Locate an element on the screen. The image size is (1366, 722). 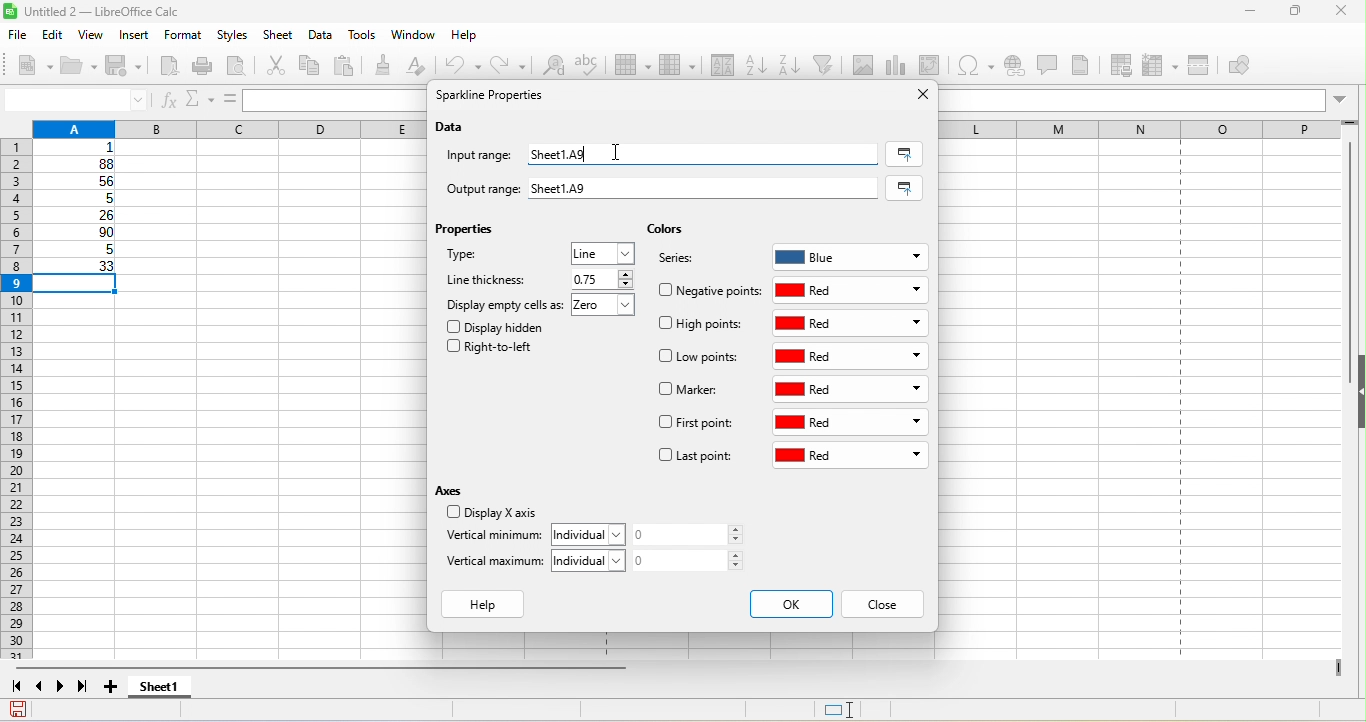
1 is located at coordinates (82, 148).